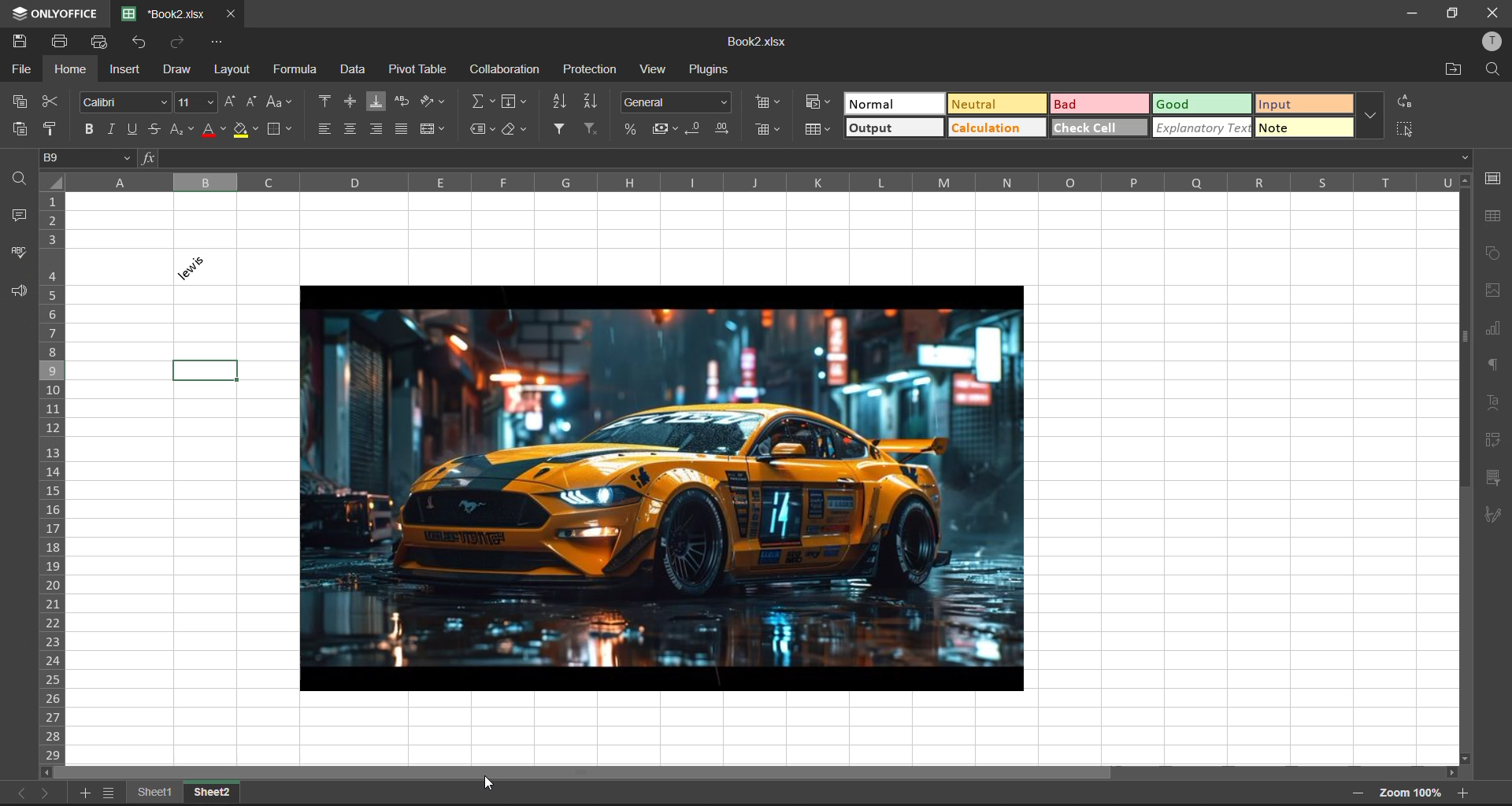 This screenshot has width=1512, height=806. What do you see at coordinates (1300, 104) in the screenshot?
I see `input` at bounding box center [1300, 104].